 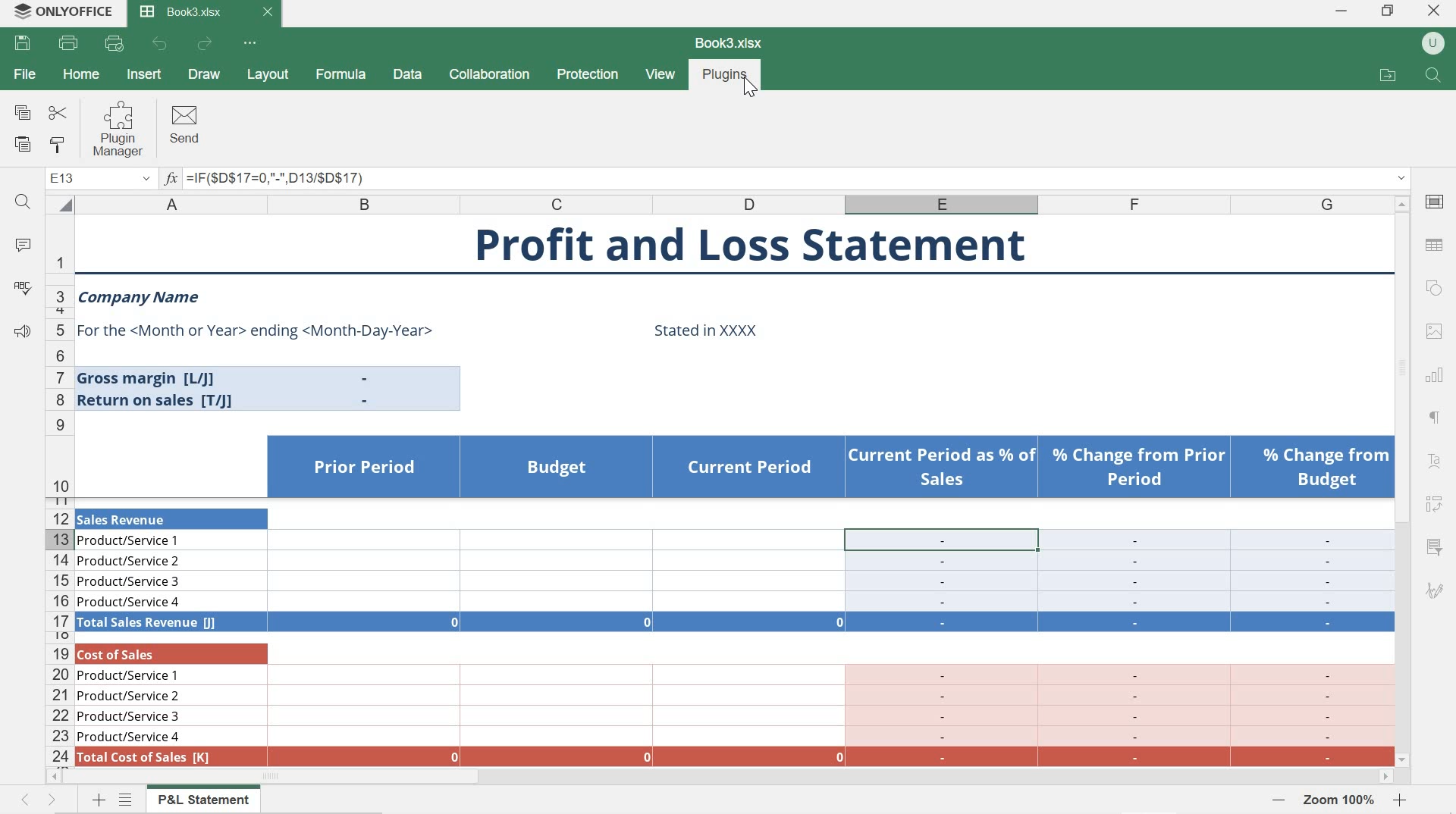 What do you see at coordinates (80, 13) in the screenshot?
I see `onlyoffice` at bounding box center [80, 13].